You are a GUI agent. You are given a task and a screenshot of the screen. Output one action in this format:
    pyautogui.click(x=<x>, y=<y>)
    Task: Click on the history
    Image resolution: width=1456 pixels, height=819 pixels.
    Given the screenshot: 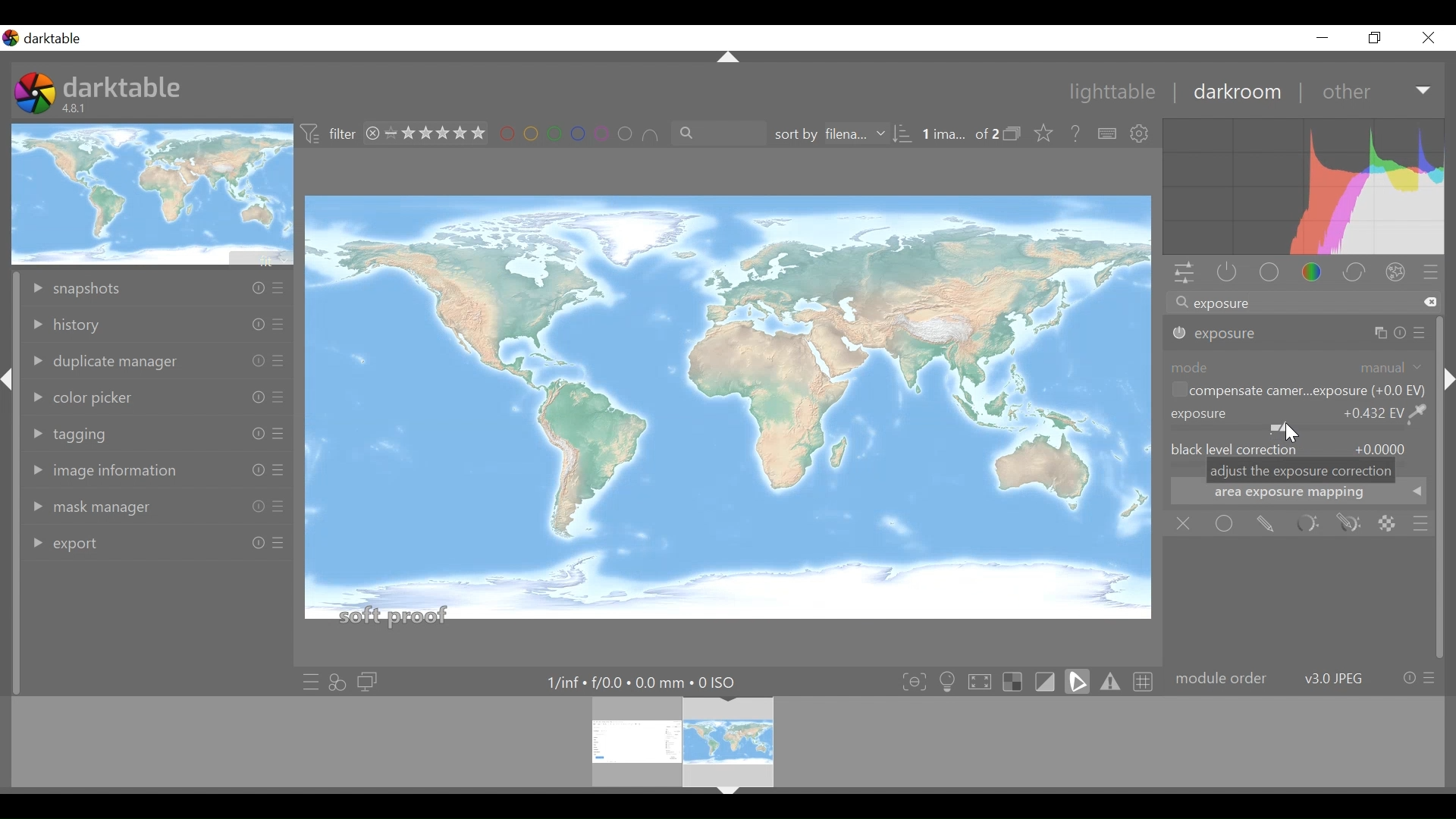 What is the action you would take?
    pyautogui.click(x=92, y=325)
    